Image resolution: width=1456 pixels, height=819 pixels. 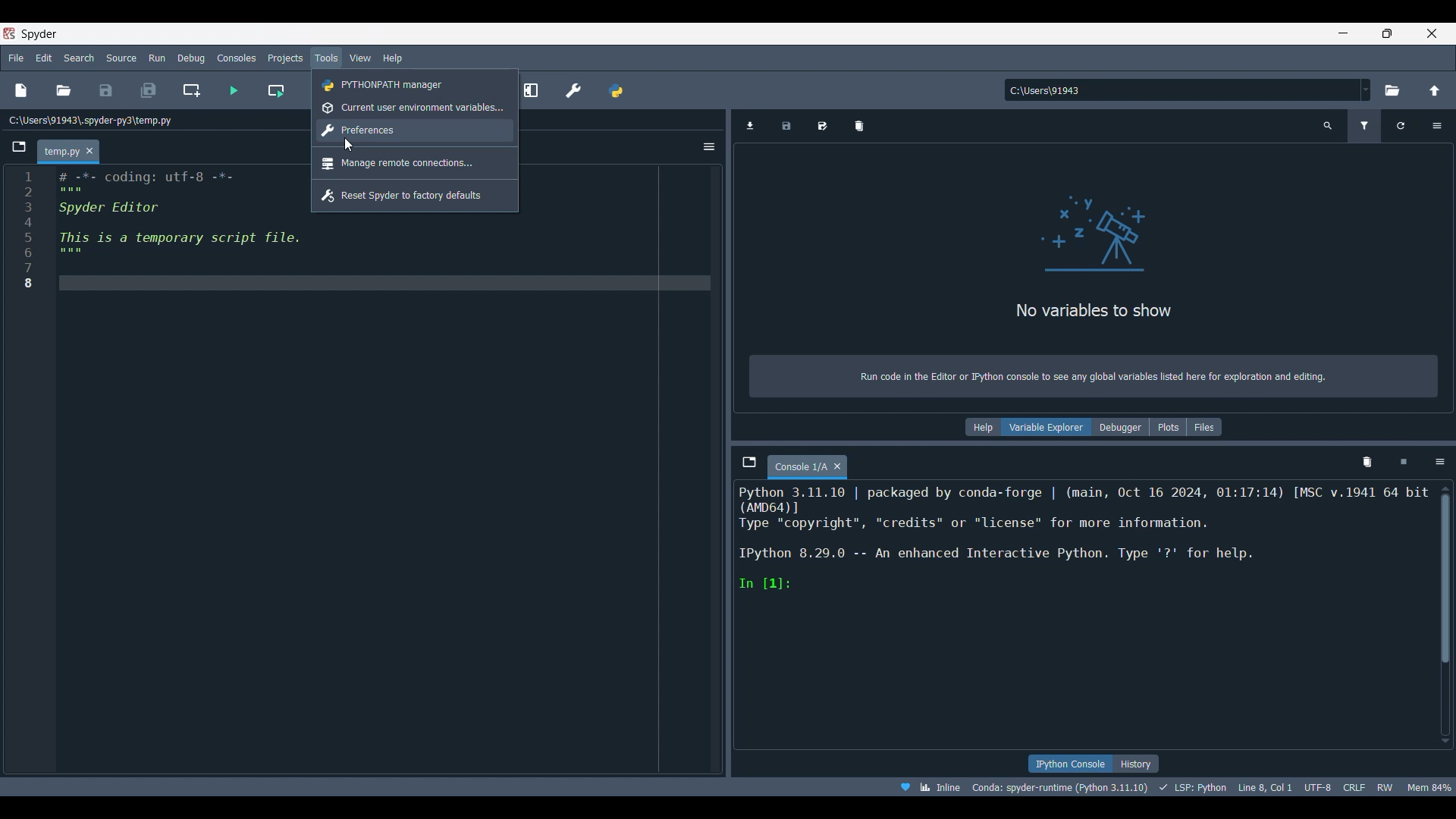 I want to click on Projects menu, so click(x=284, y=58).